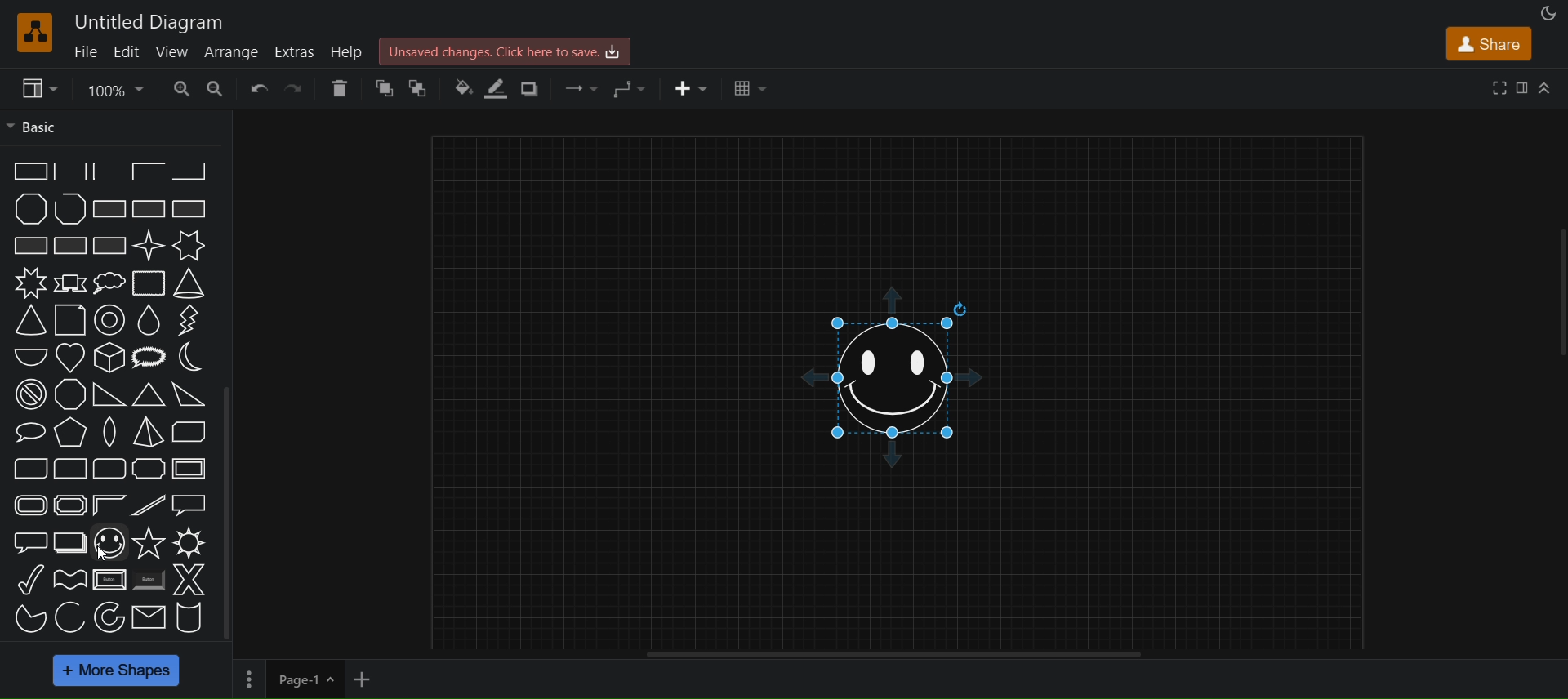 This screenshot has width=1568, height=699. Describe the element at coordinates (109, 358) in the screenshot. I see `isometric cube` at that location.